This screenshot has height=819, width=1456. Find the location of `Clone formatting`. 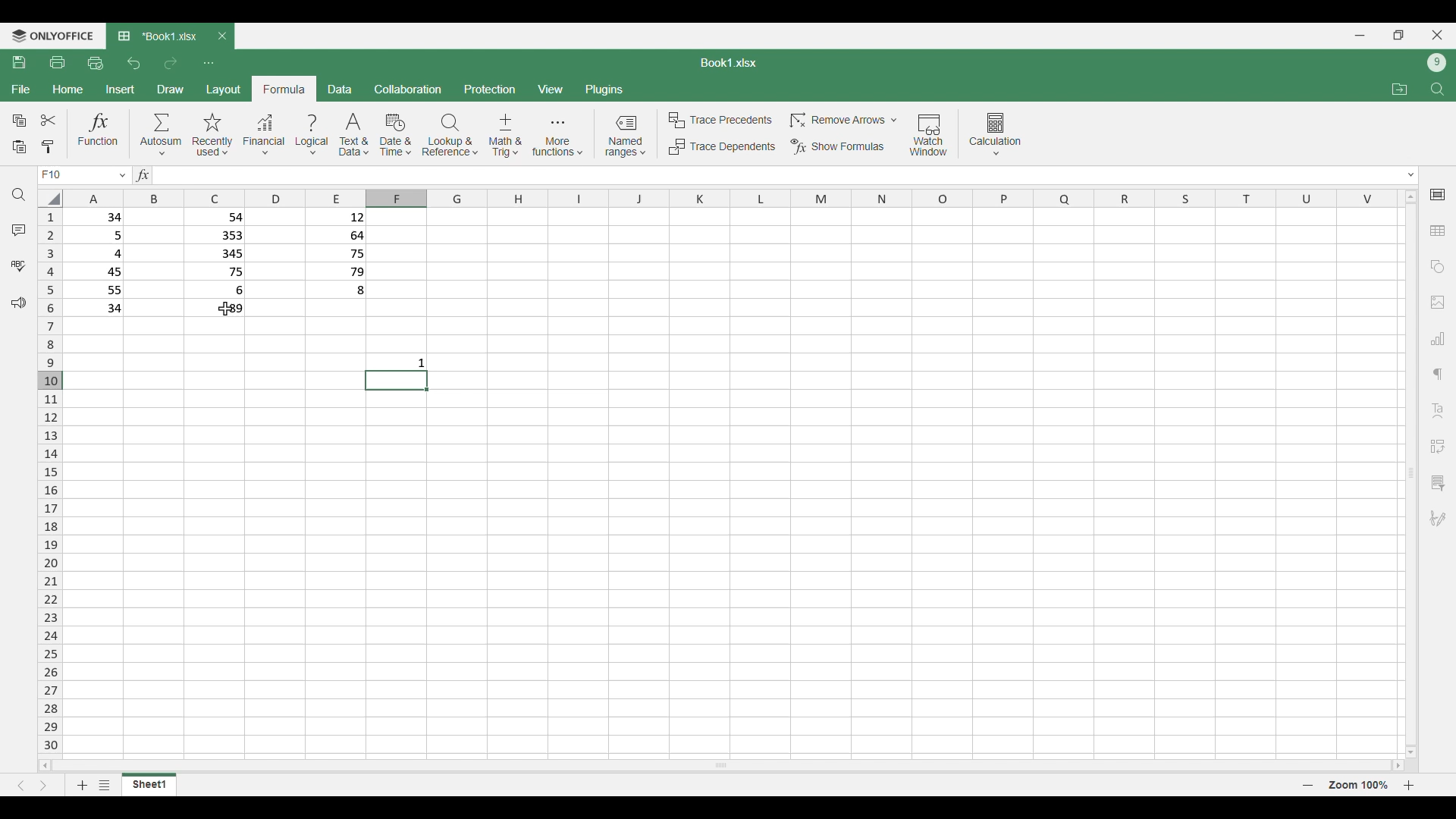

Clone formatting is located at coordinates (47, 148).